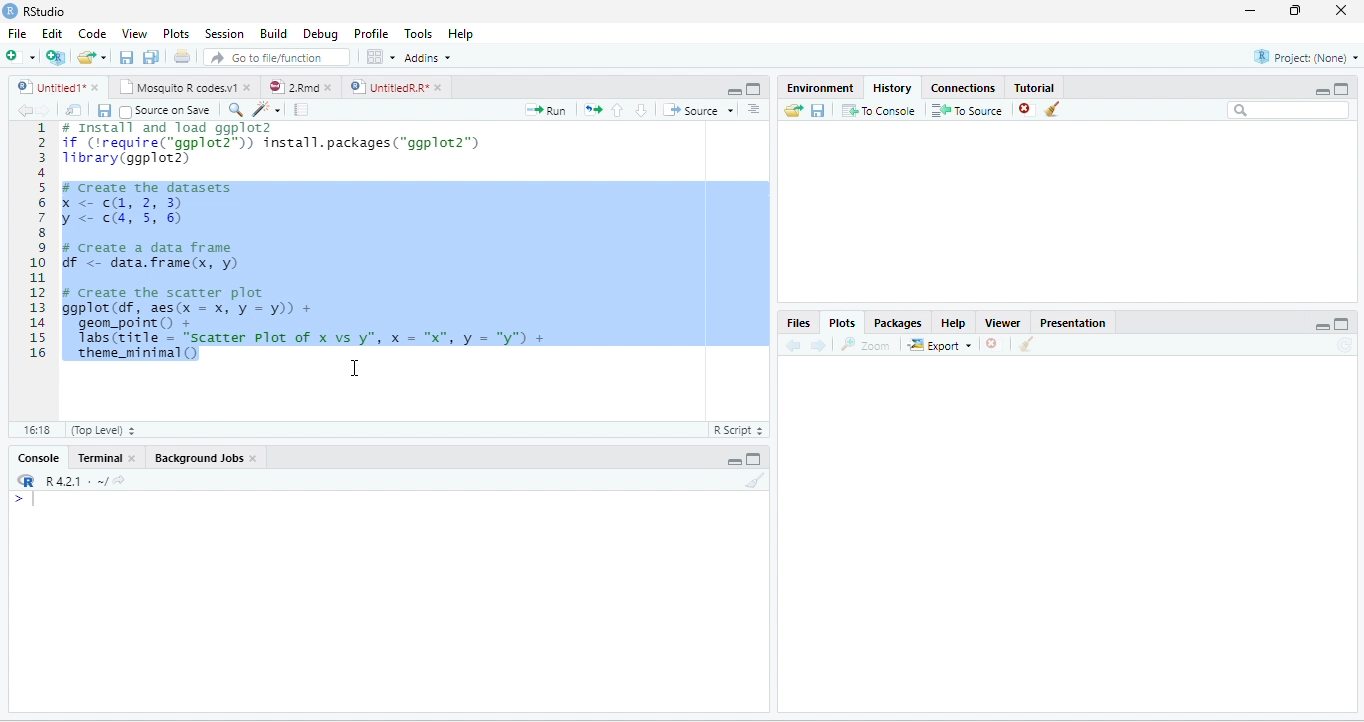  Describe the element at coordinates (1344, 344) in the screenshot. I see `Refresh current plot` at that location.